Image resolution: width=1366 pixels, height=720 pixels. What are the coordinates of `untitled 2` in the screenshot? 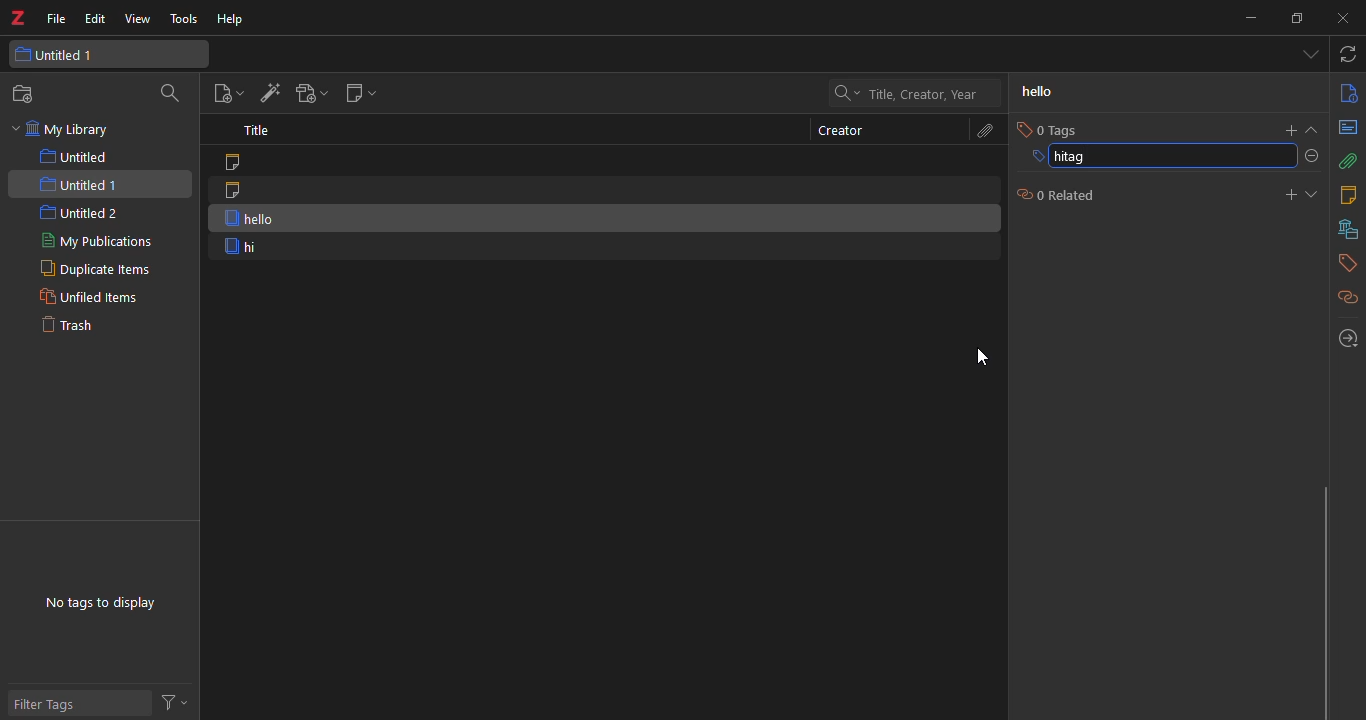 It's located at (80, 213).